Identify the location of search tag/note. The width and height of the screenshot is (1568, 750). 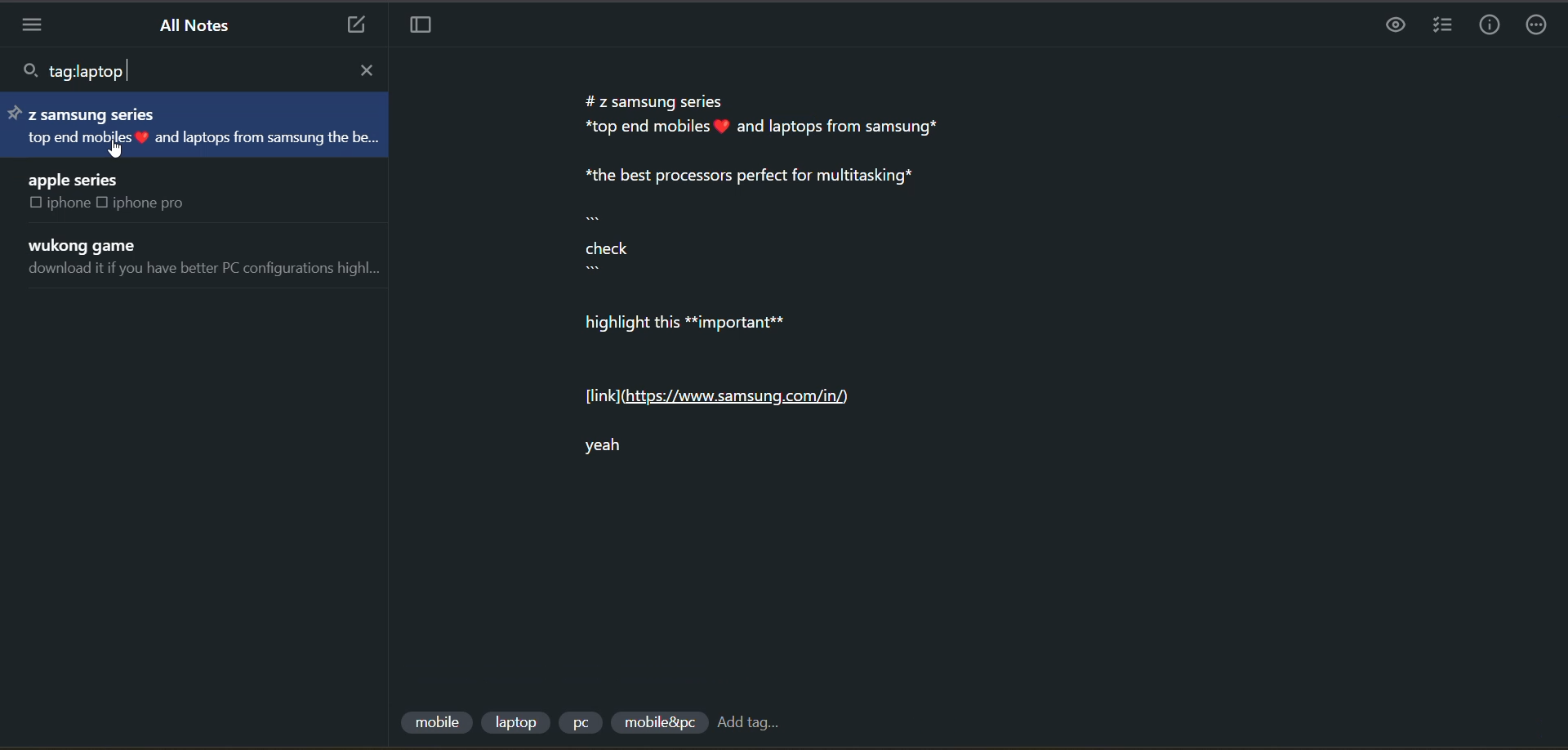
(76, 72).